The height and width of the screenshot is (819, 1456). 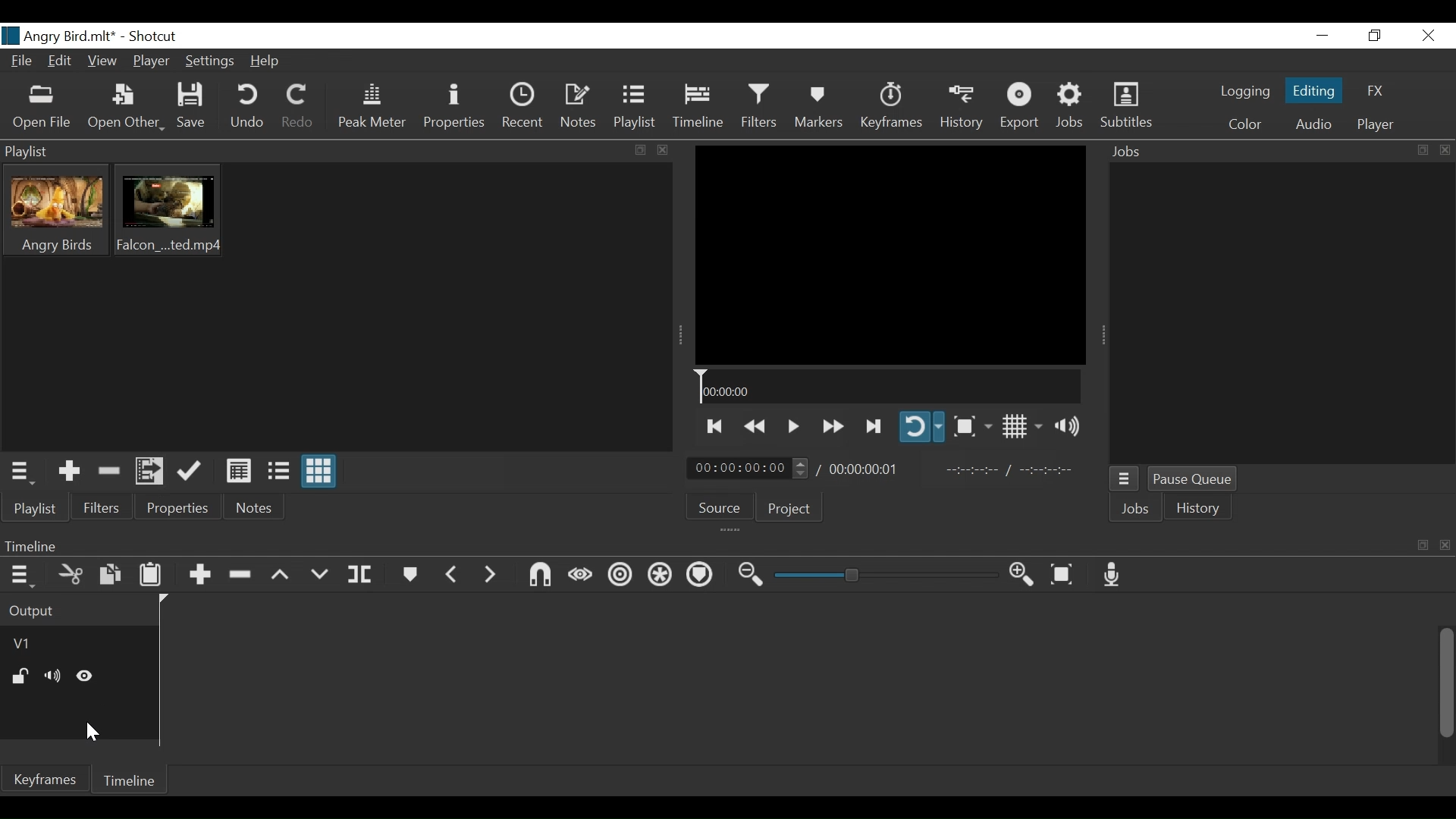 I want to click on Cut, so click(x=71, y=575).